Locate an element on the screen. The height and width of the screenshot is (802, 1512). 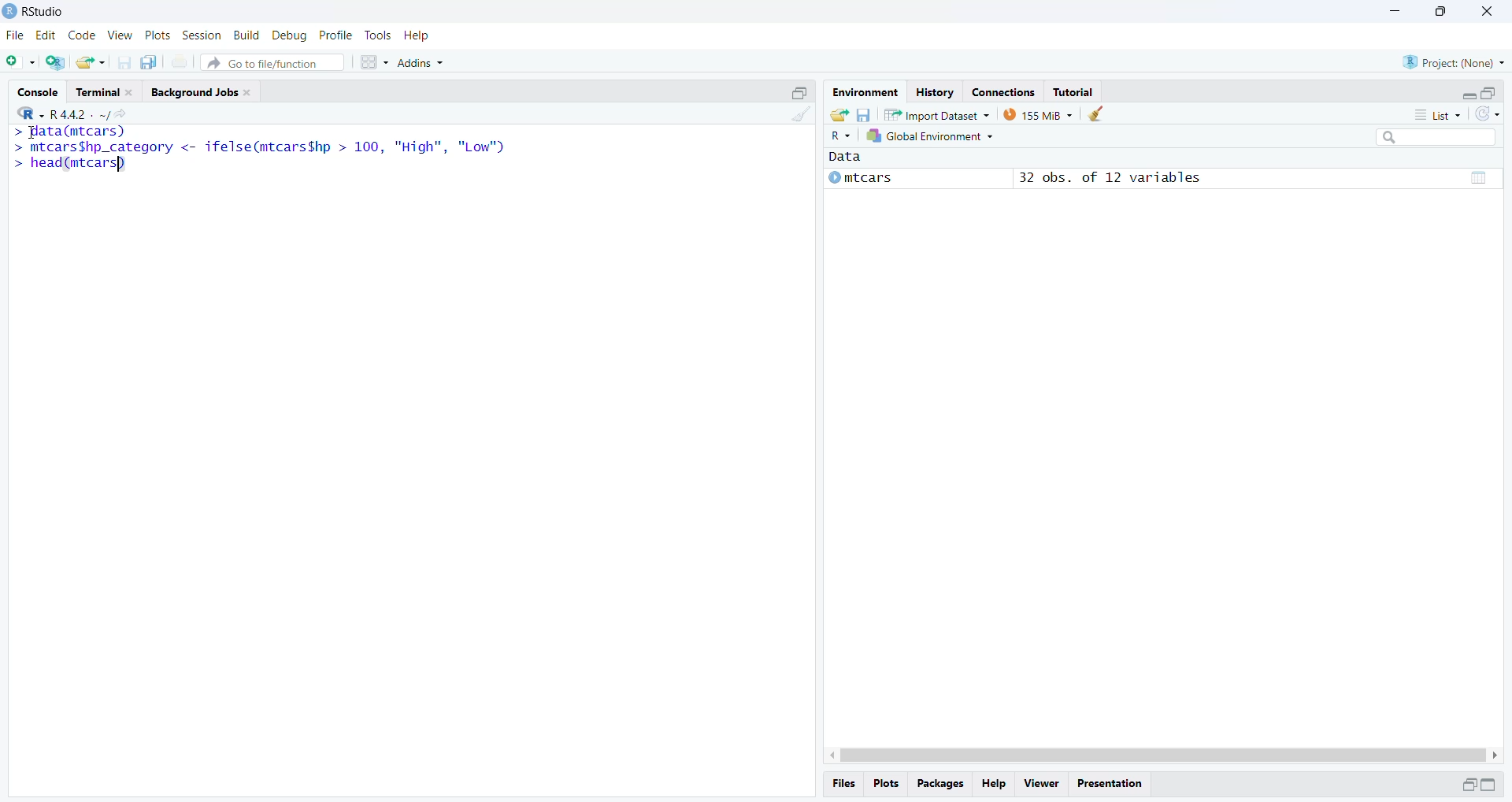
Debug is located at coordinates (289, 35).